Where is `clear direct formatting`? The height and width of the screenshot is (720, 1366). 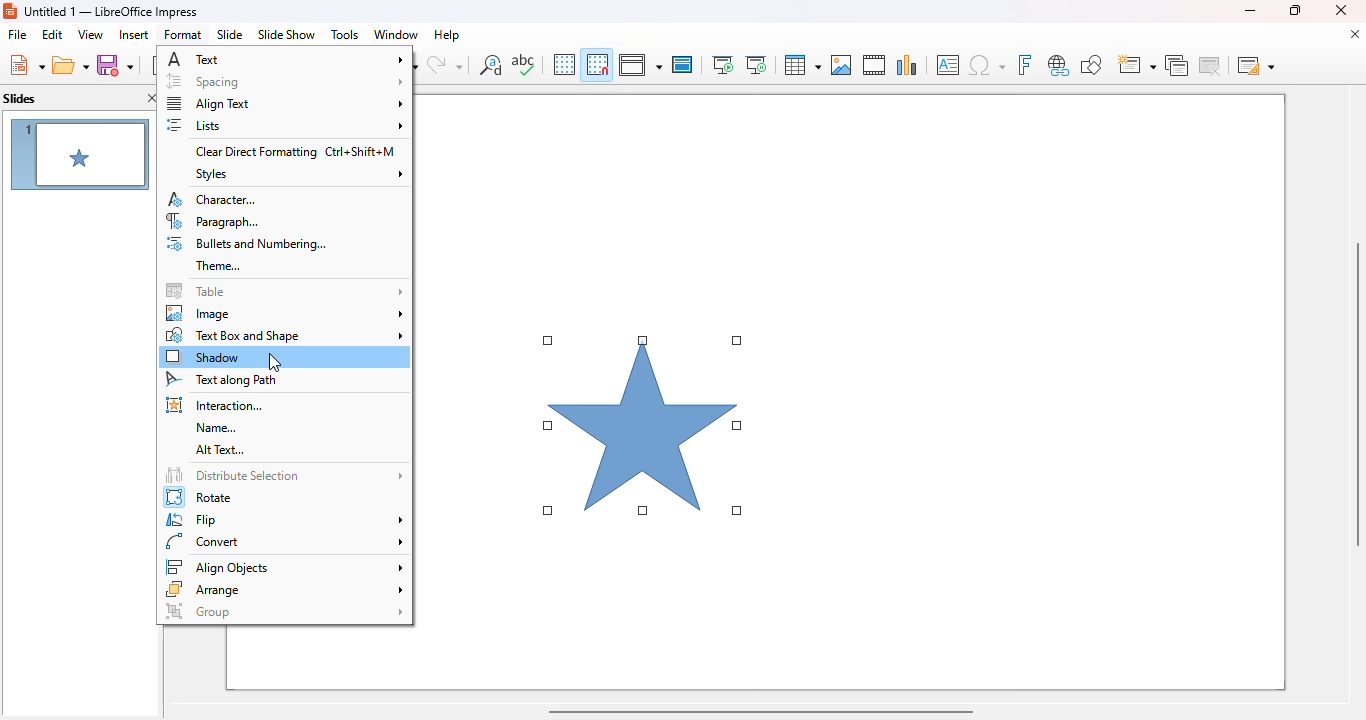
clear direct formatting is located at coordinates (295, 152).